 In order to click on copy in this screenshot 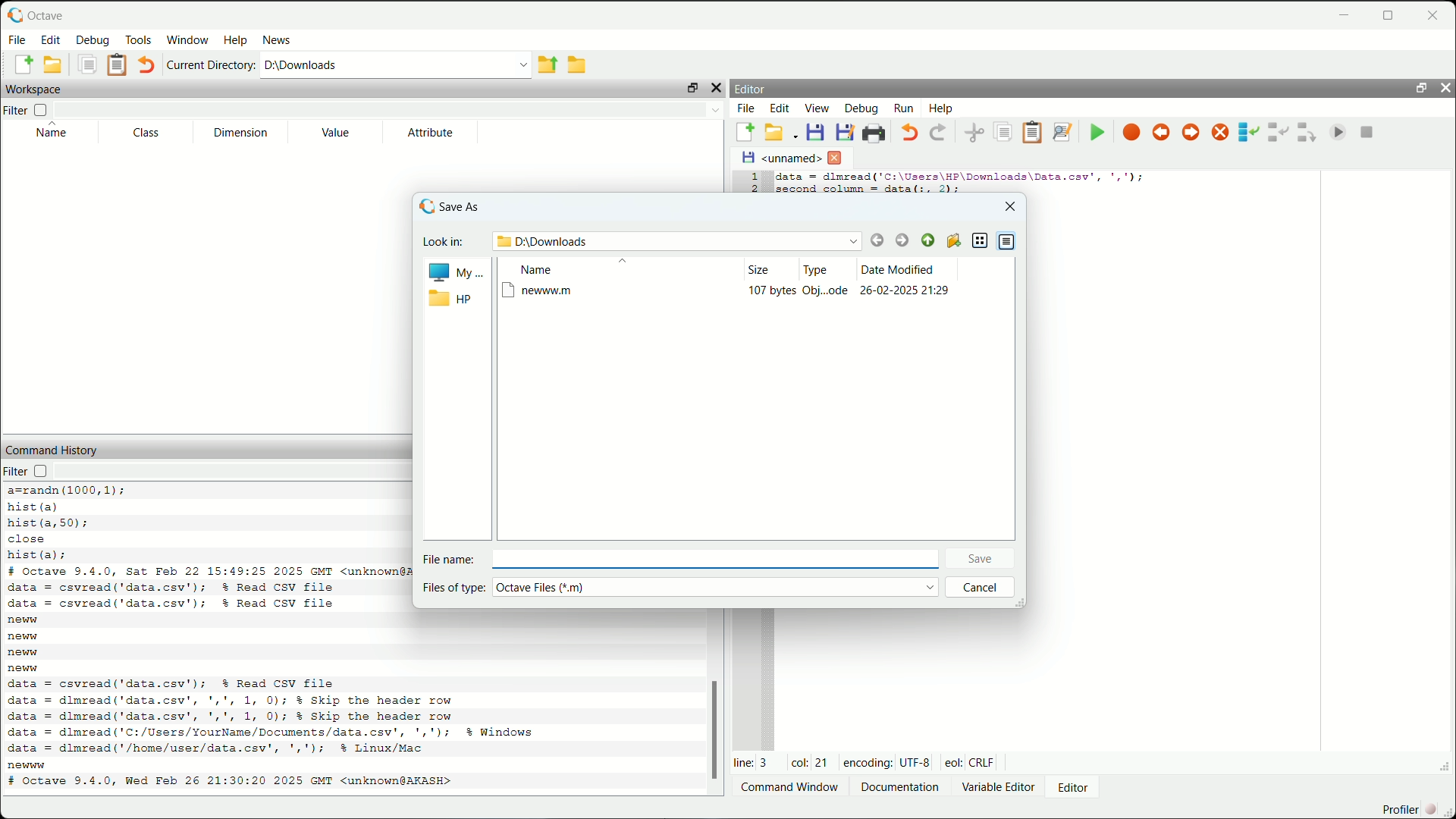, I will do `click(1006, 134)`.